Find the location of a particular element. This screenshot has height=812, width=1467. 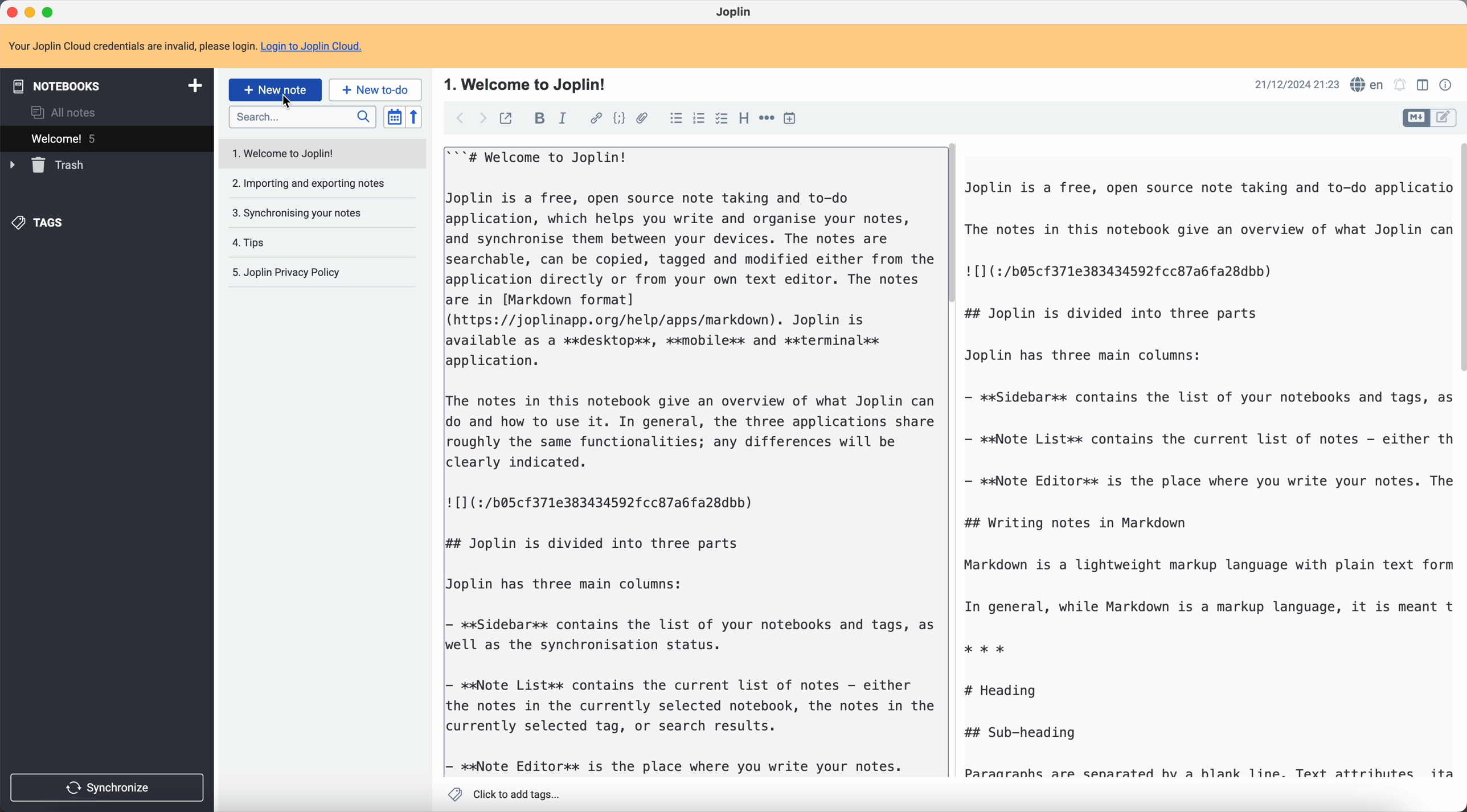

heading is located at coordinates (744, 119).